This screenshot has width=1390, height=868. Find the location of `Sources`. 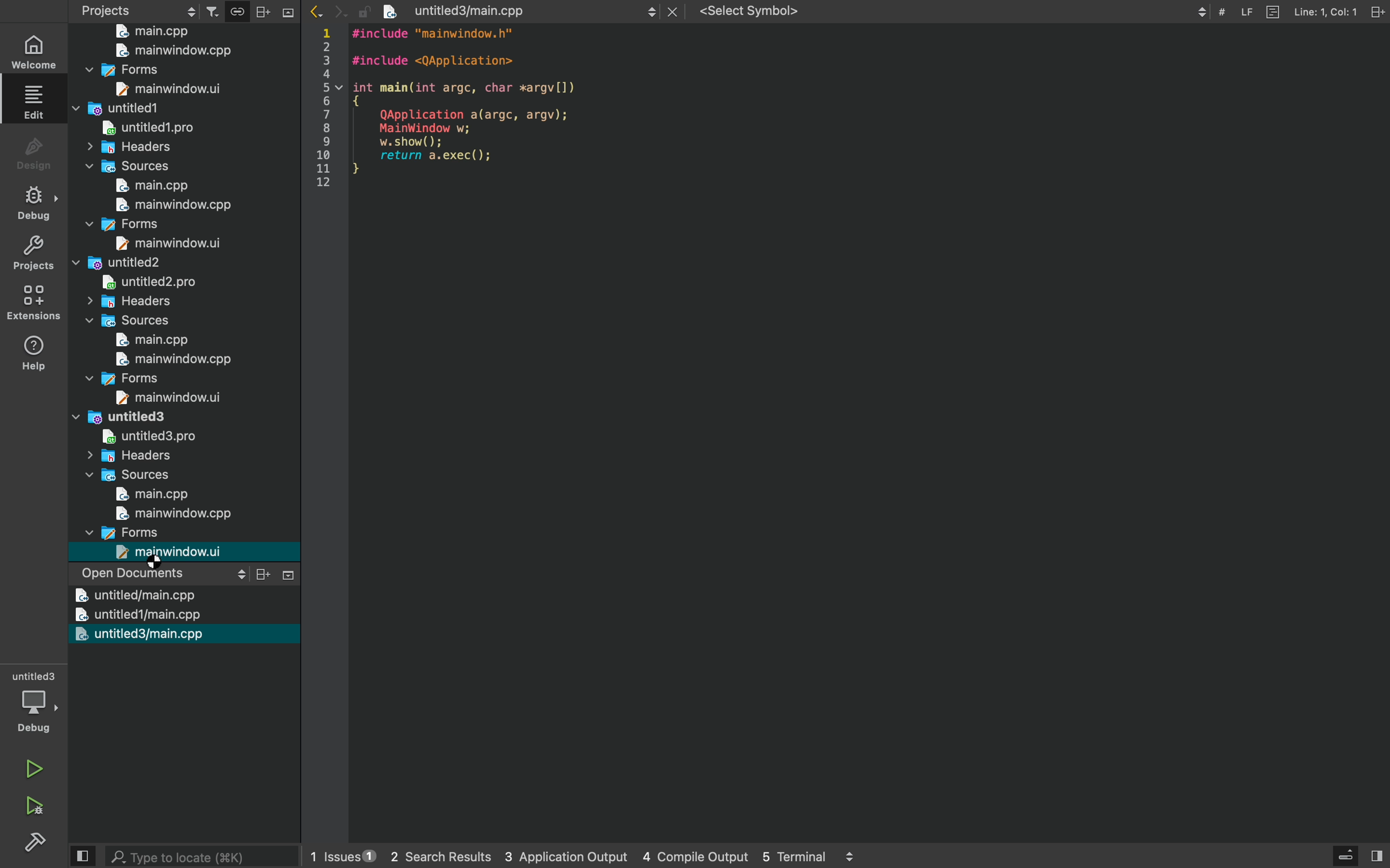

Sources is located at coordinates (160, 186).